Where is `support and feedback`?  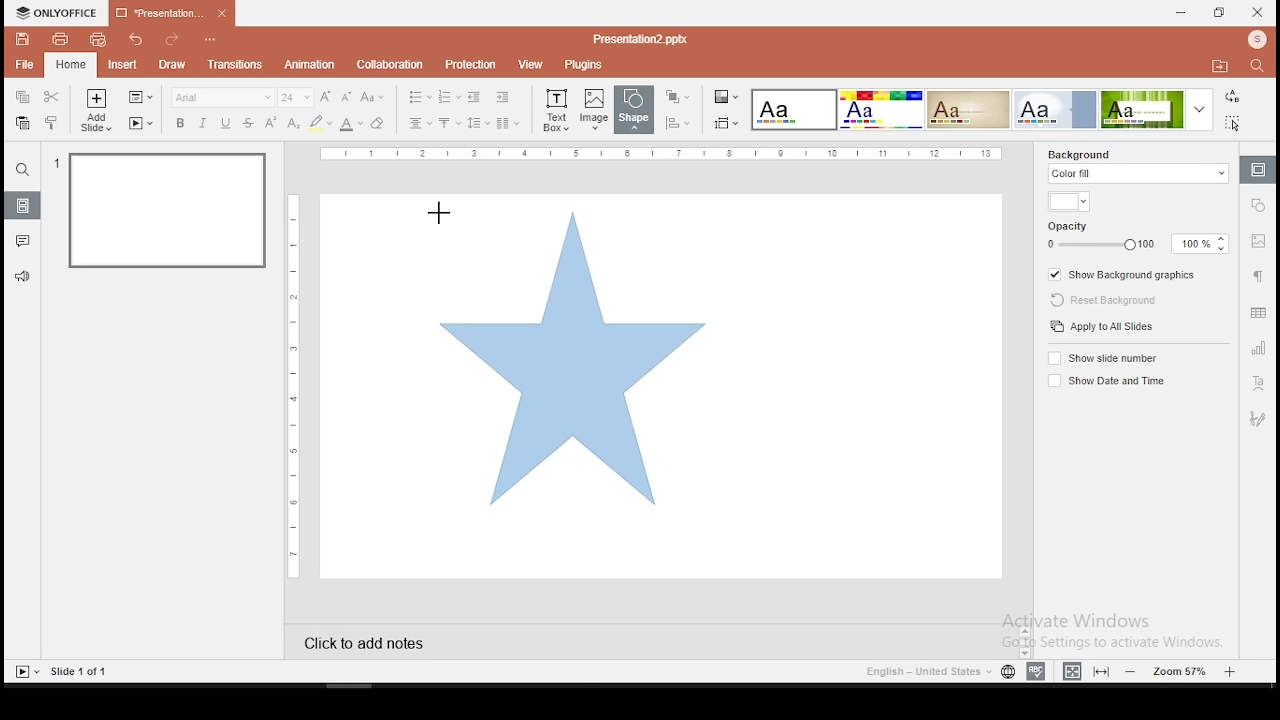 support and feedback is located at coordinates (23, 277).